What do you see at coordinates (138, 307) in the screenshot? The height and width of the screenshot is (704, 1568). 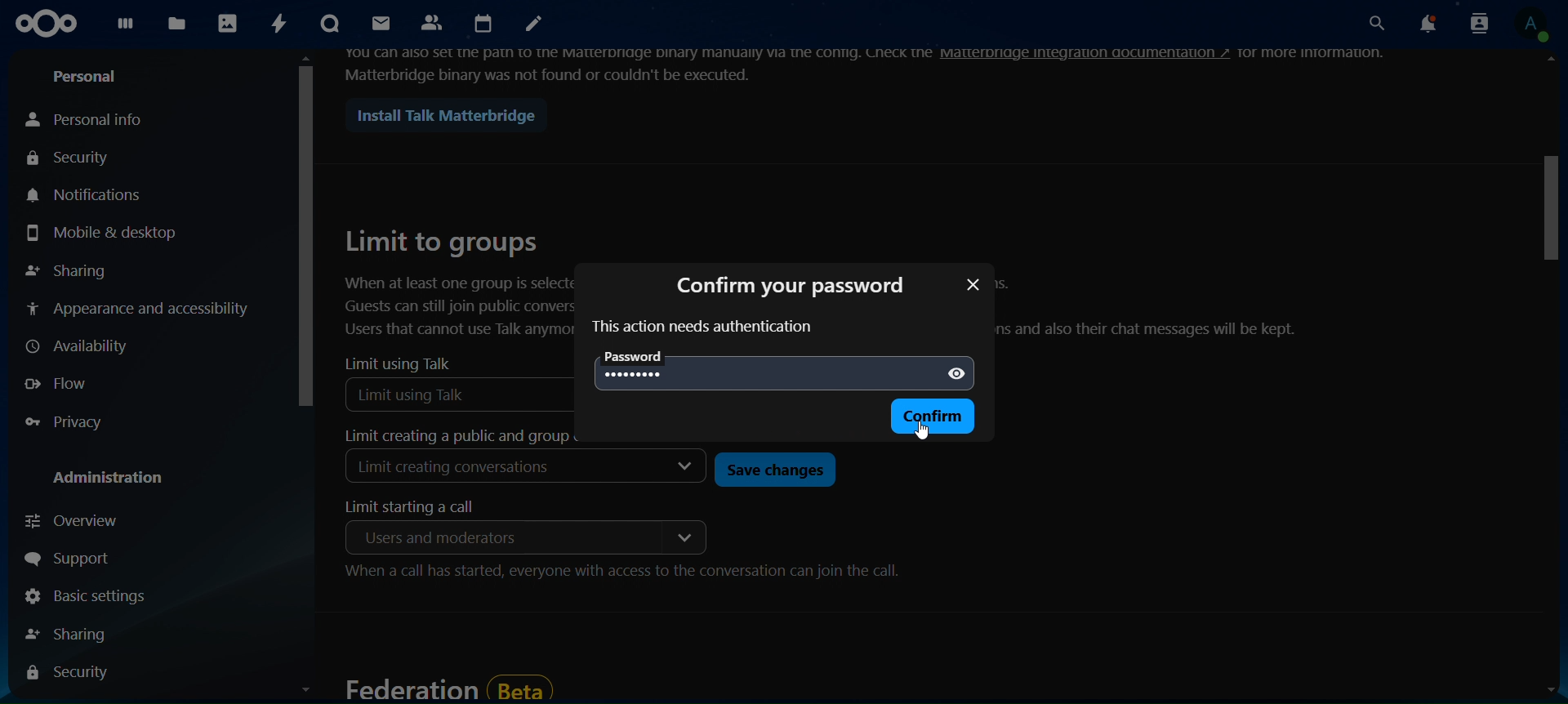 I see `appearance and accessibility` at bounding box center [138, 307].